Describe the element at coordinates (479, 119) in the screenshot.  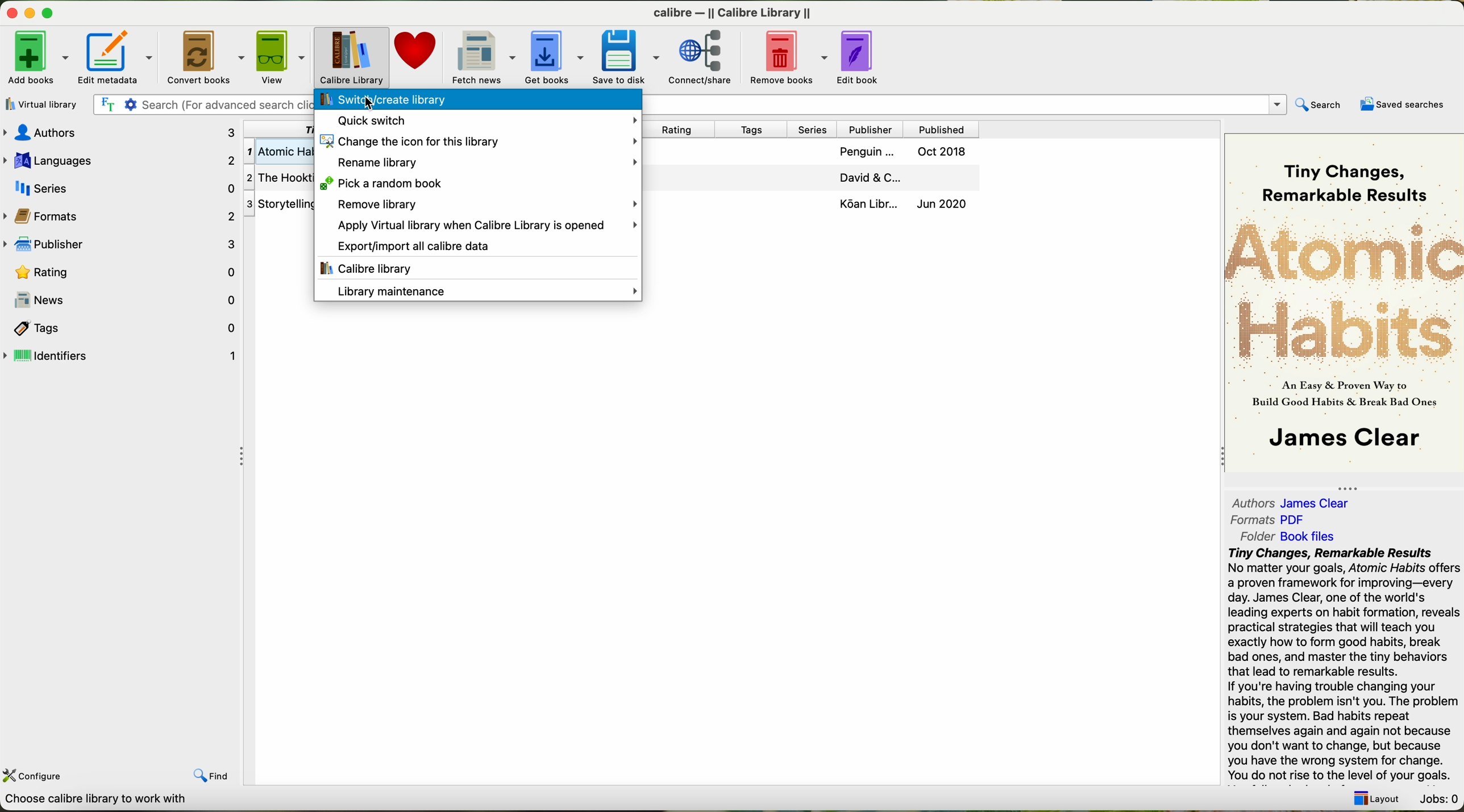
I see `quick switch` at that location.